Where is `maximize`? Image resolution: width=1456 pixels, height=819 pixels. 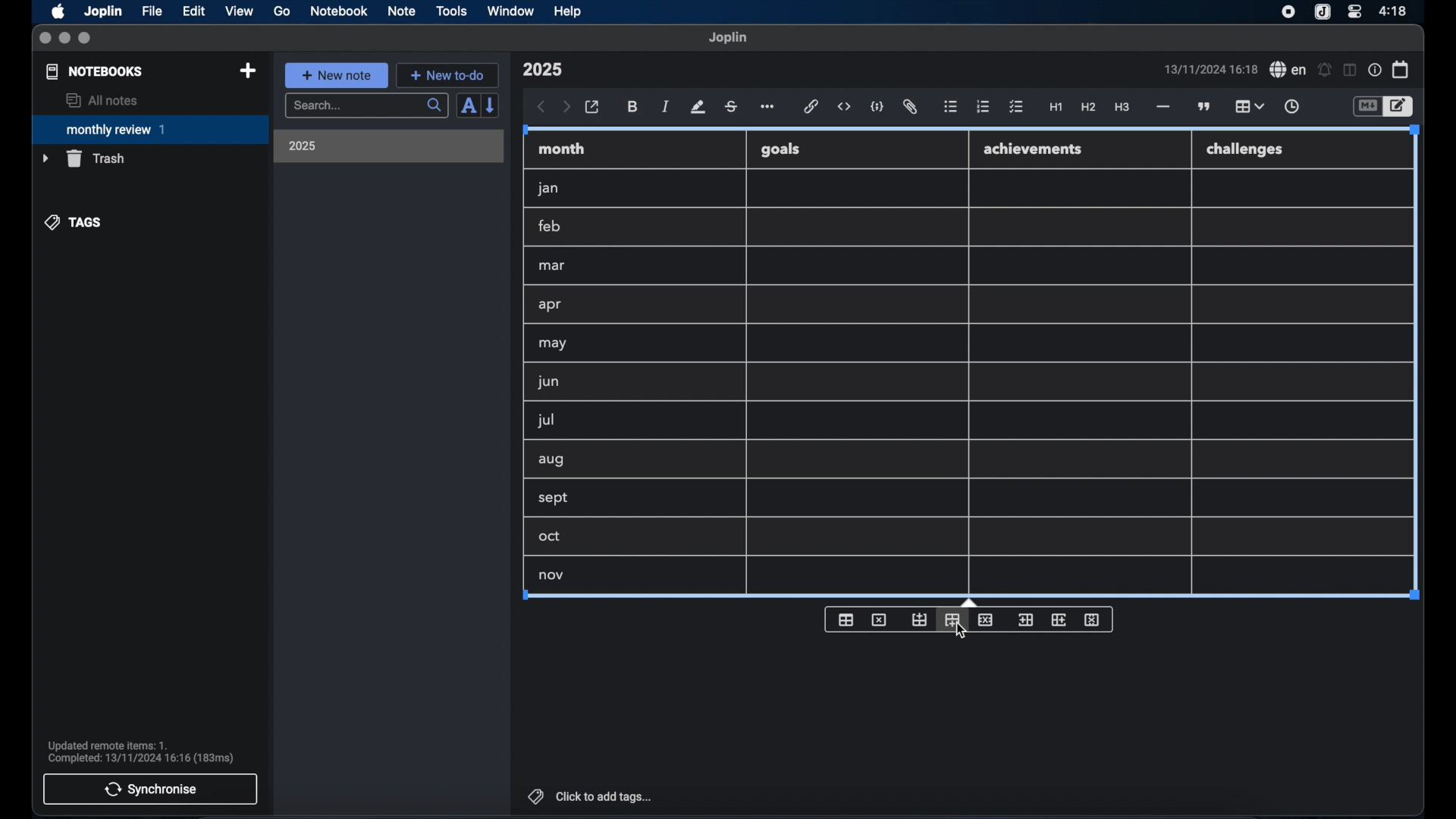
maximize is located at coordinates (86, 39).